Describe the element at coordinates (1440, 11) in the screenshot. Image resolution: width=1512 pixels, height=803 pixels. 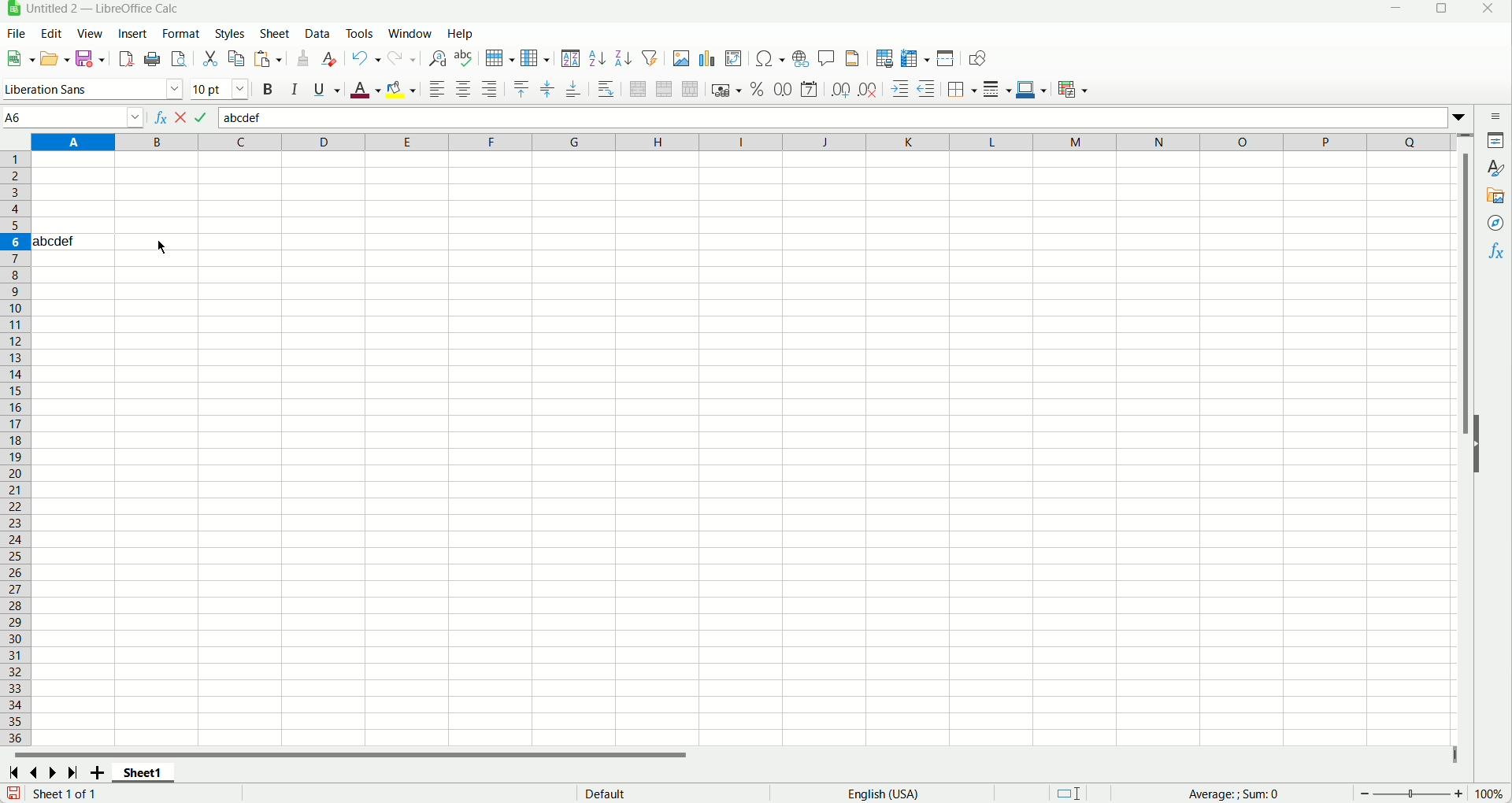
I see `maximize` at that location.